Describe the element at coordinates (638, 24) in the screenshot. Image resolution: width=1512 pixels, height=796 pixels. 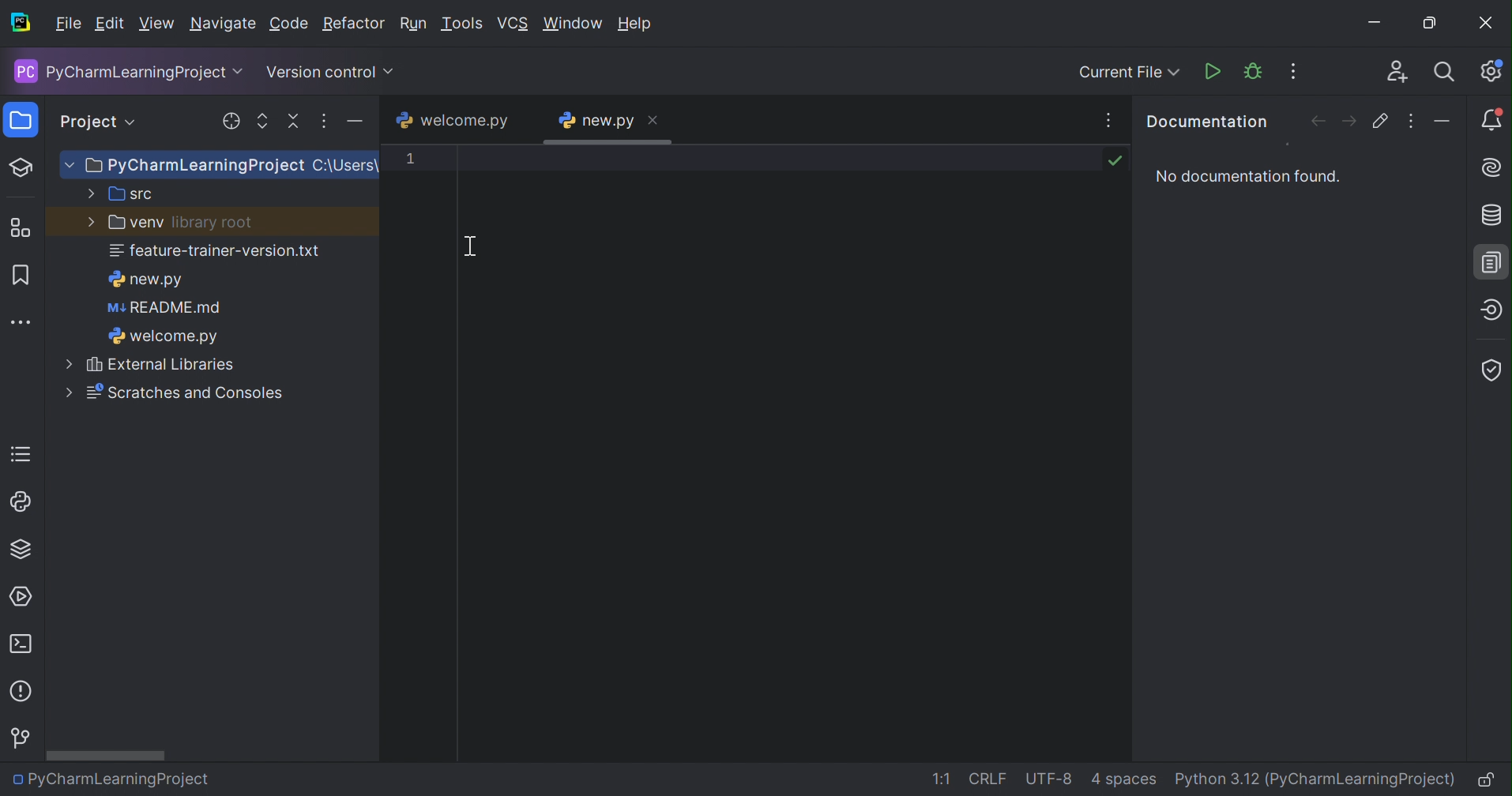
I see `Help` at that location.